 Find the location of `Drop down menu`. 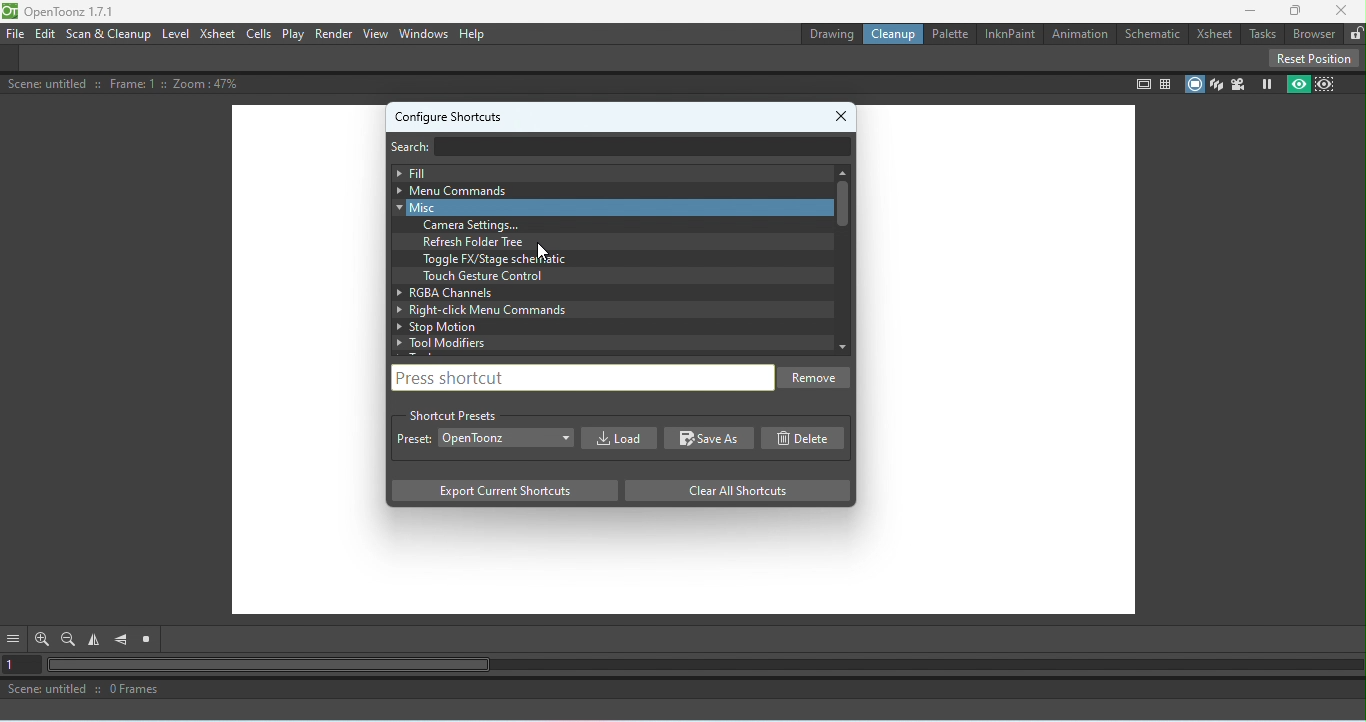

Drop down menu is located at coordinates (507, 436).